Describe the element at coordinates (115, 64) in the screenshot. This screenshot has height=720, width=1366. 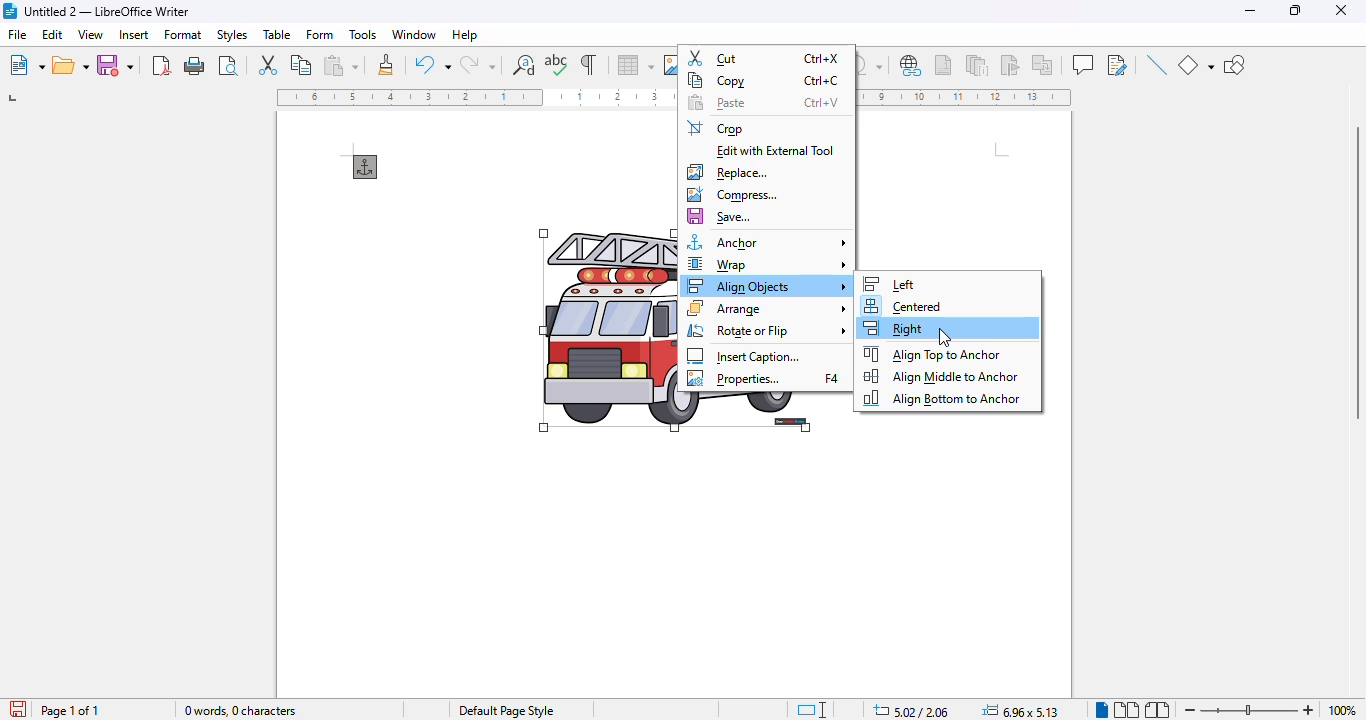
I see `save` at that location.